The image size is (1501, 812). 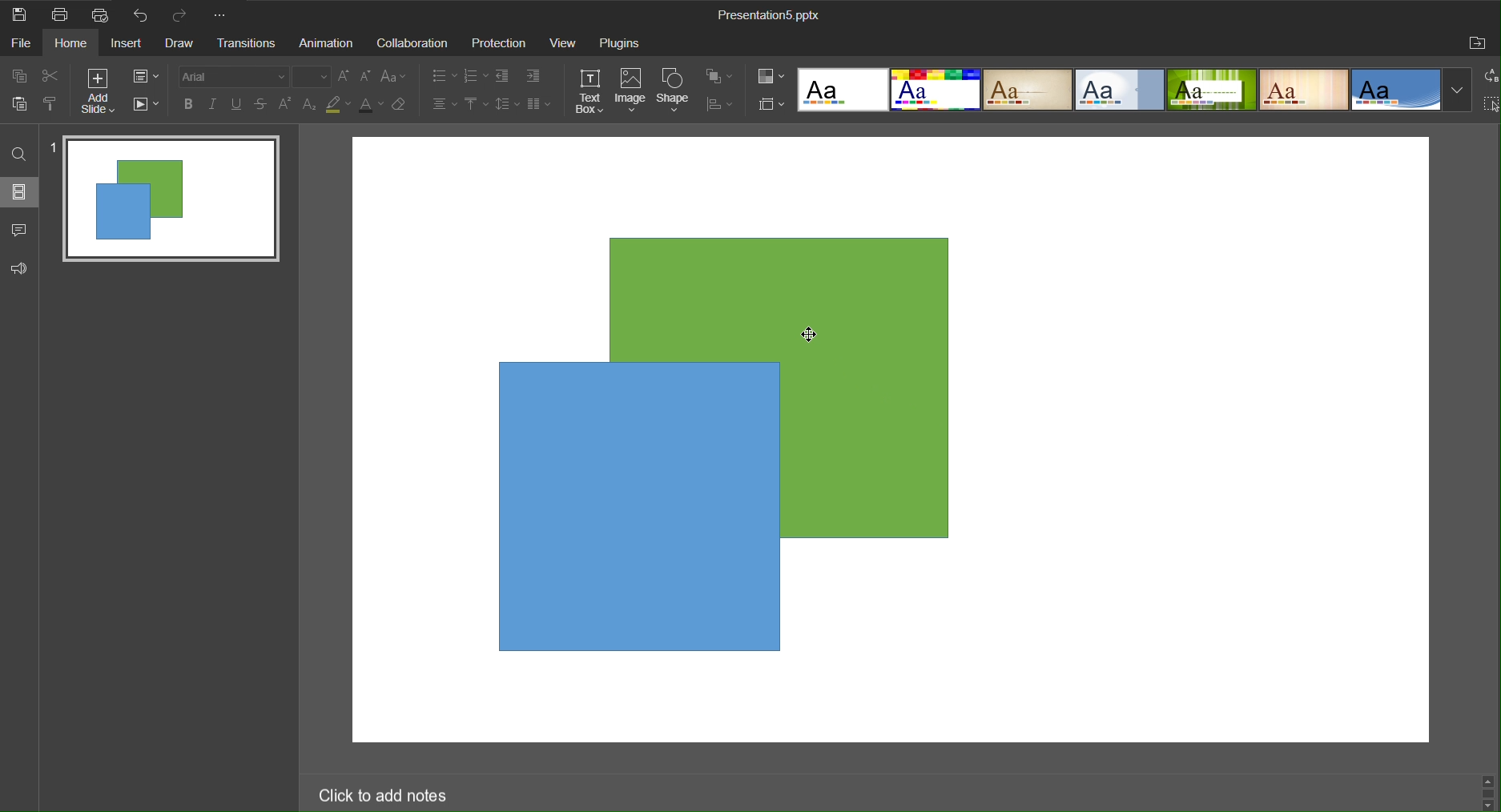 I want to click on Replace, so click(x=1491, y=76).